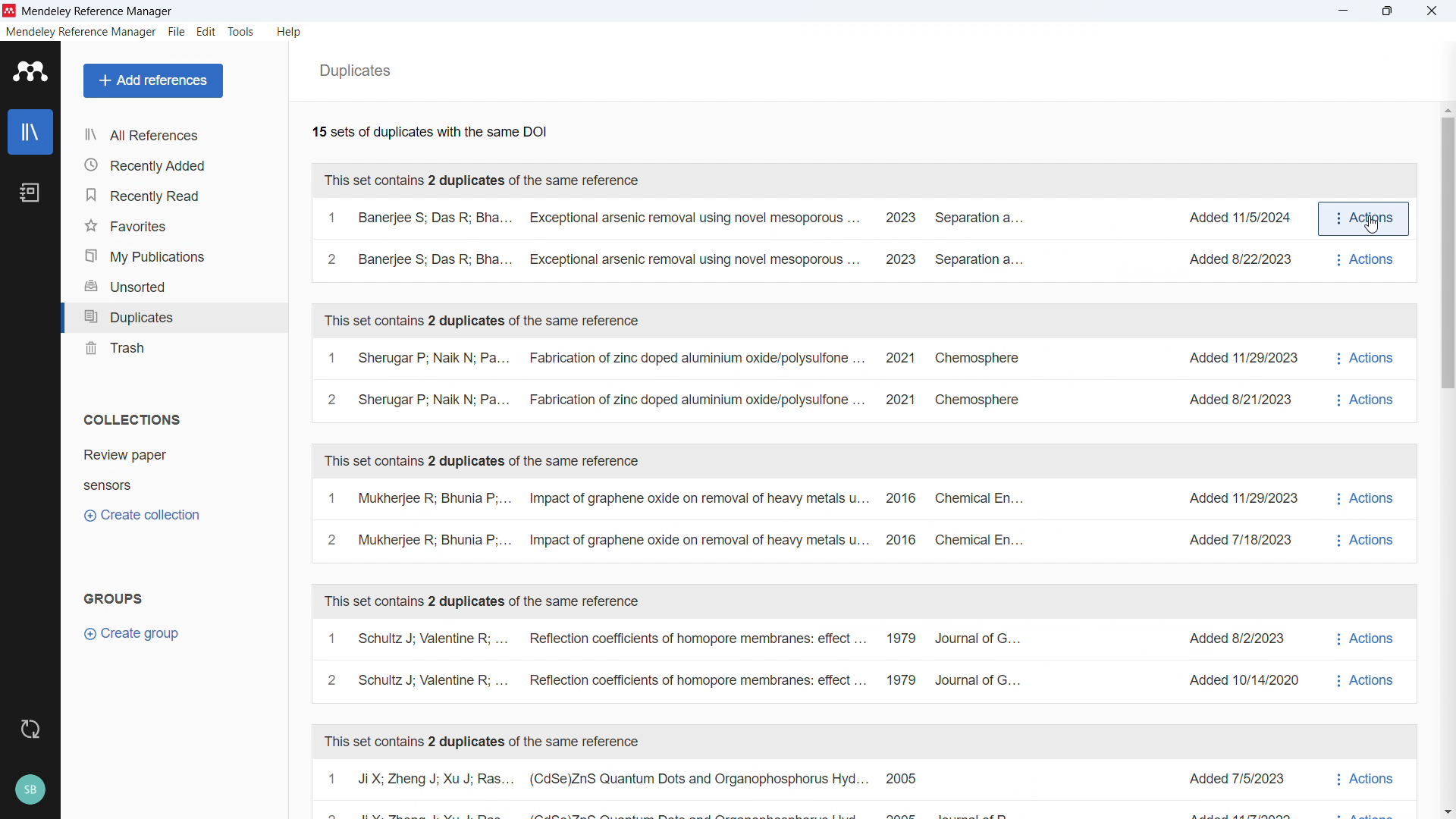  What do you see at coordinates (290, 33) in the screenshot?
I see `Help ` at bounding box center [290, 33].